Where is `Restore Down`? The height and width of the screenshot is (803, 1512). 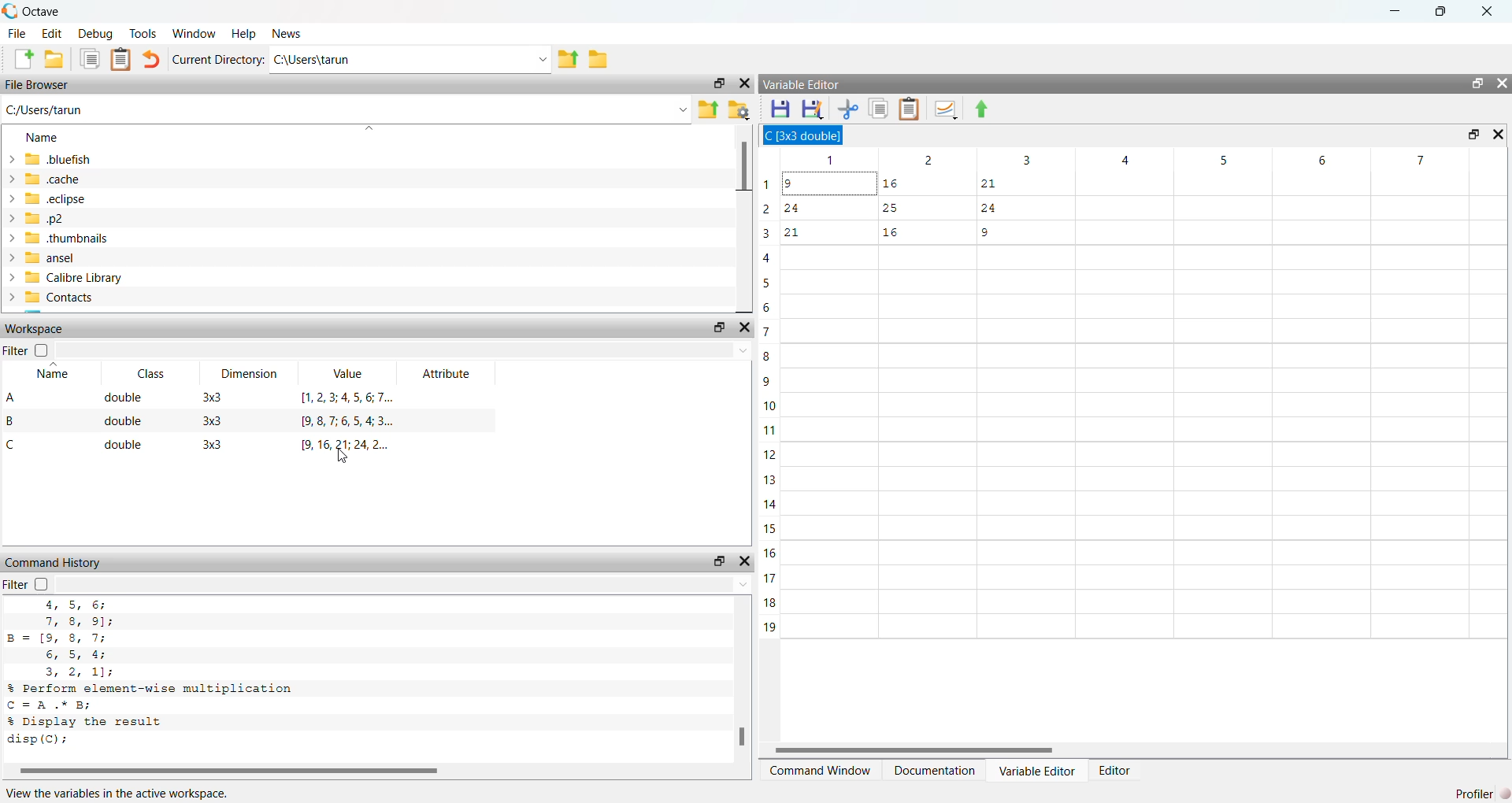
Restore Down is located at coordinates (1478, 83).